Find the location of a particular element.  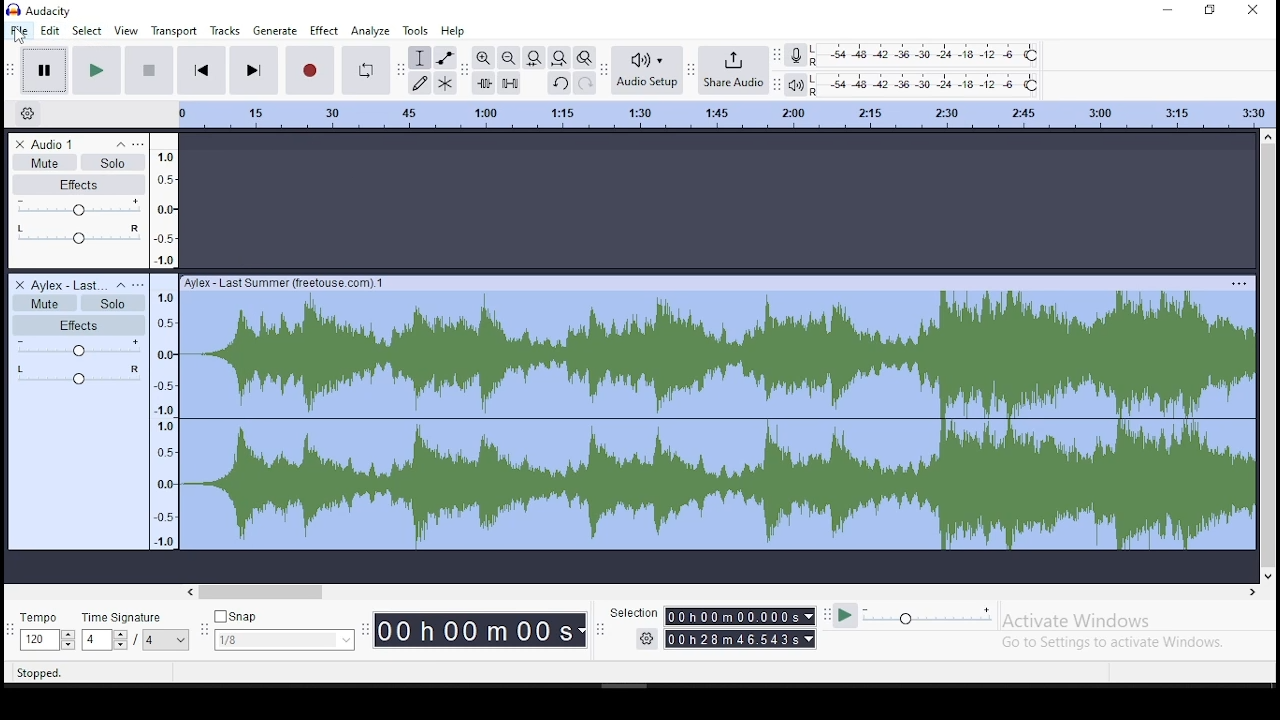

skip to start is located at coordinates (201, 70).